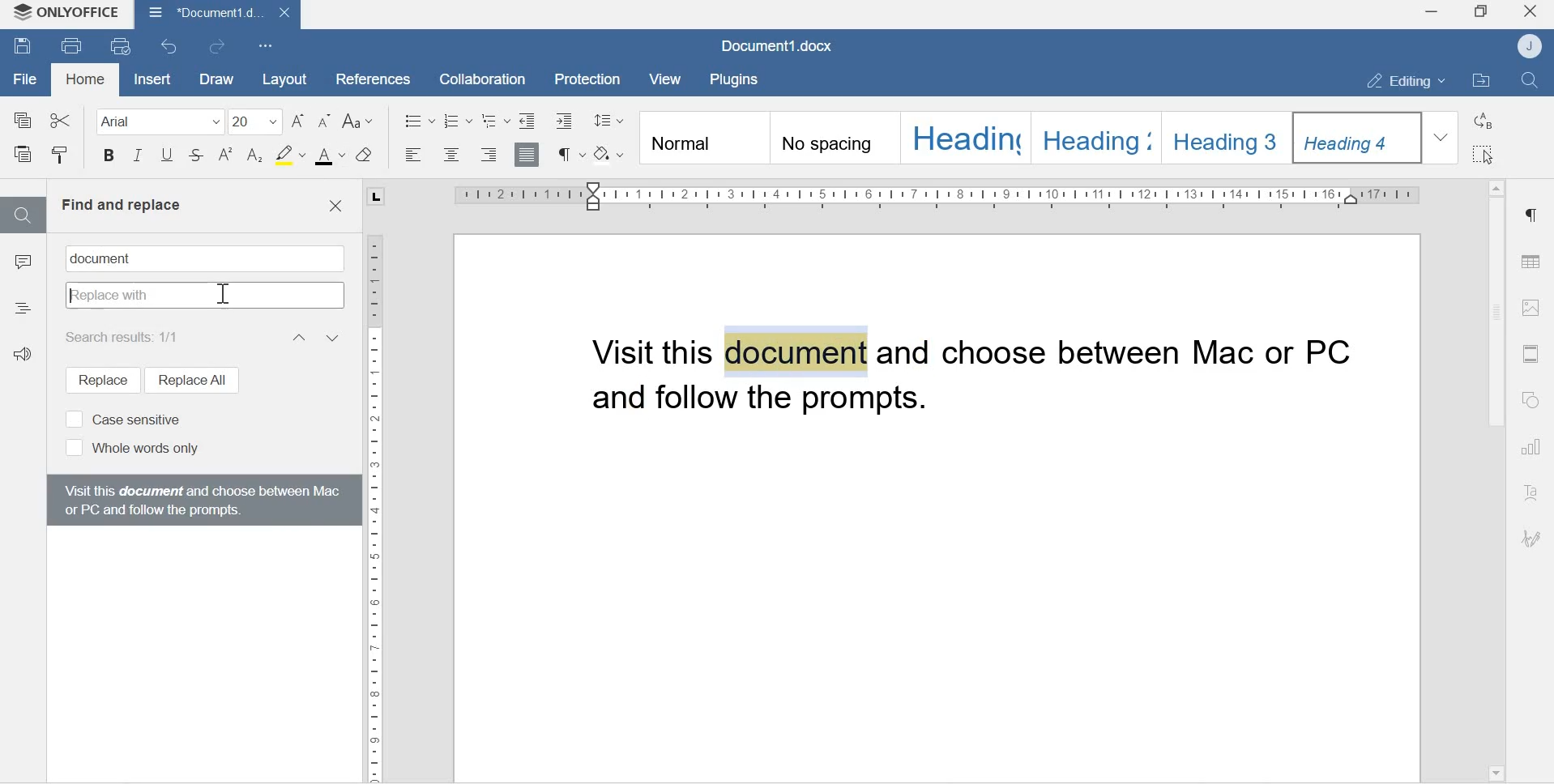  I want to click on tab stop, so click(370, 195).